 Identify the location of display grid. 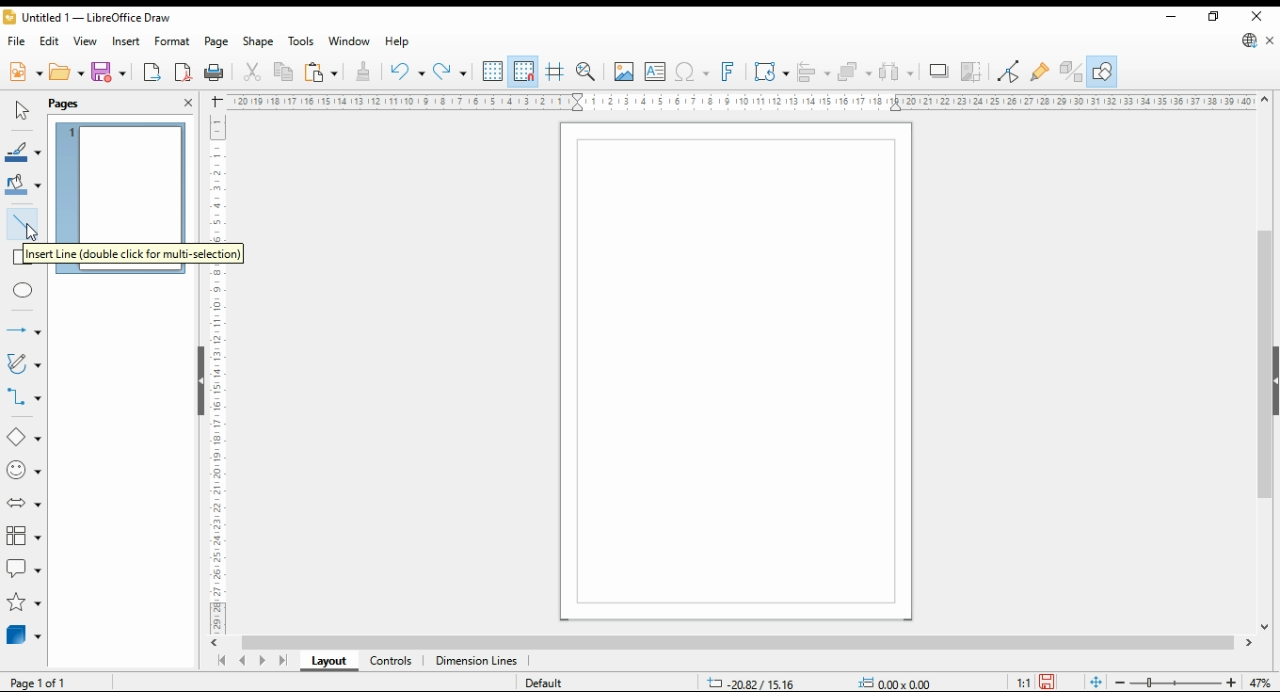
(493, 70).